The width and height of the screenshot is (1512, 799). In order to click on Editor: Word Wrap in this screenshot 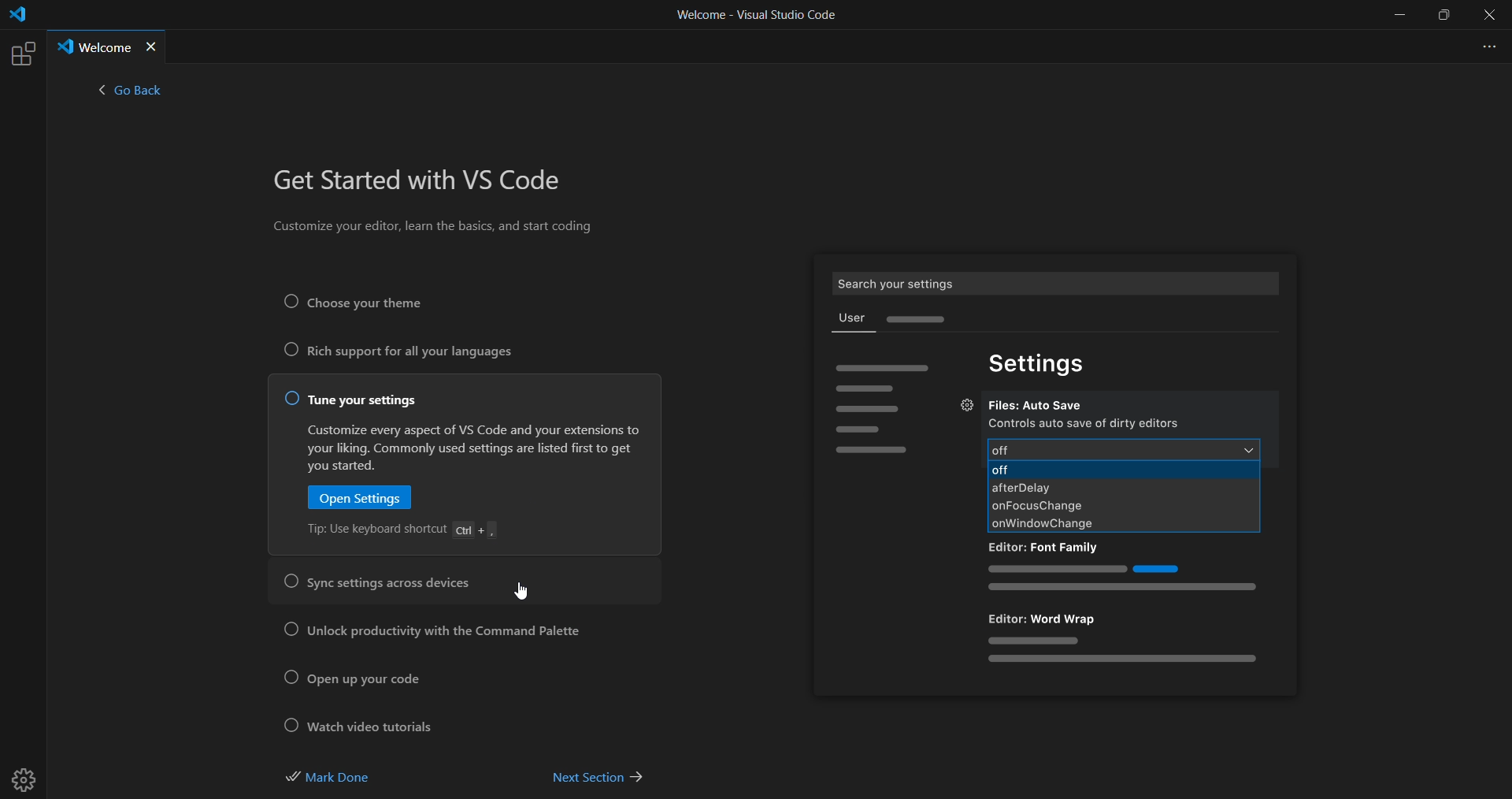, I will do `click(1060, 620)`.